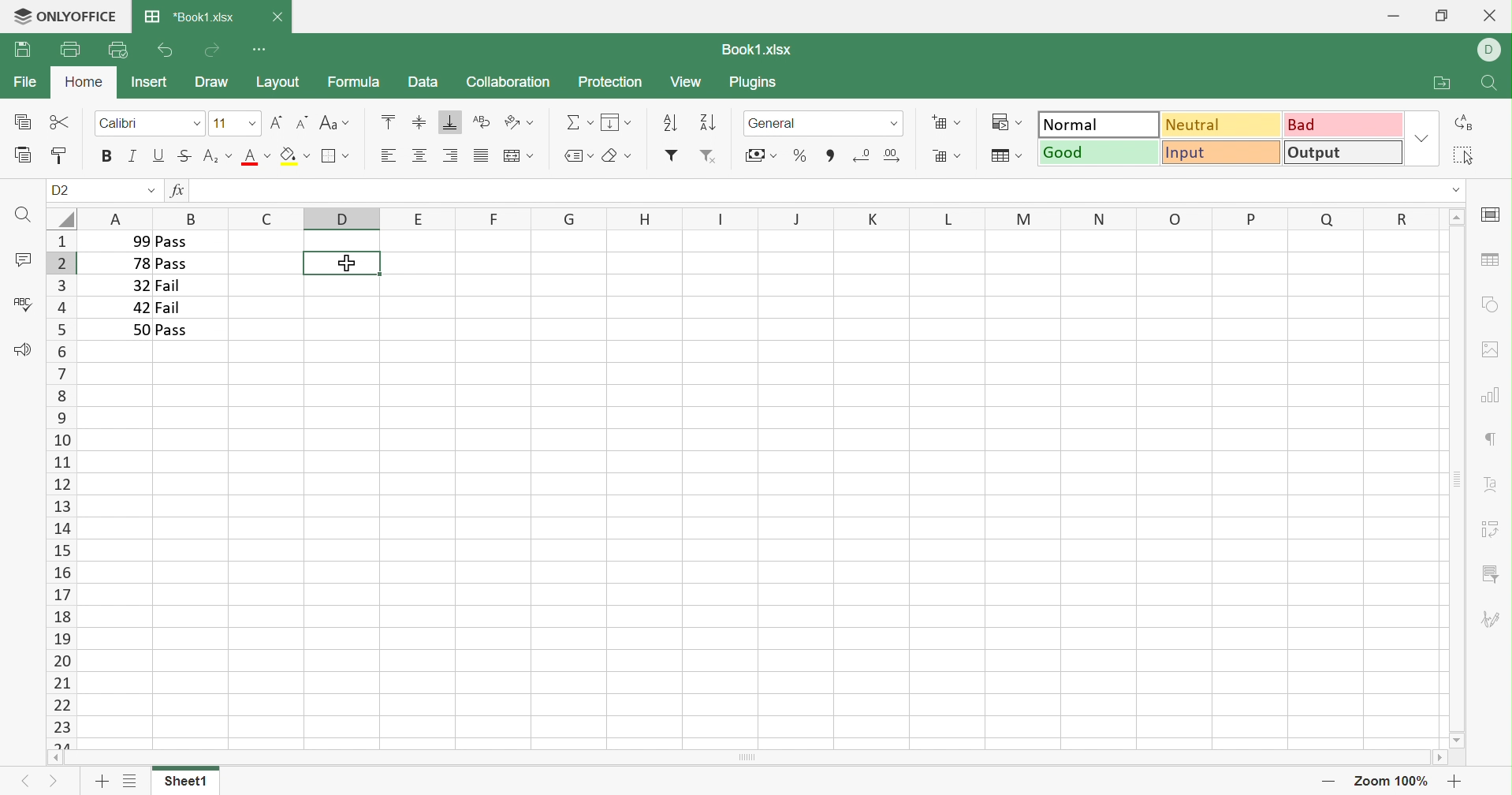 Image resolution: width=1512 pixels, height=795 pixels. Describe the element at coordinates (304, 121) in the screenshot. I see `Font decrement` at that location.